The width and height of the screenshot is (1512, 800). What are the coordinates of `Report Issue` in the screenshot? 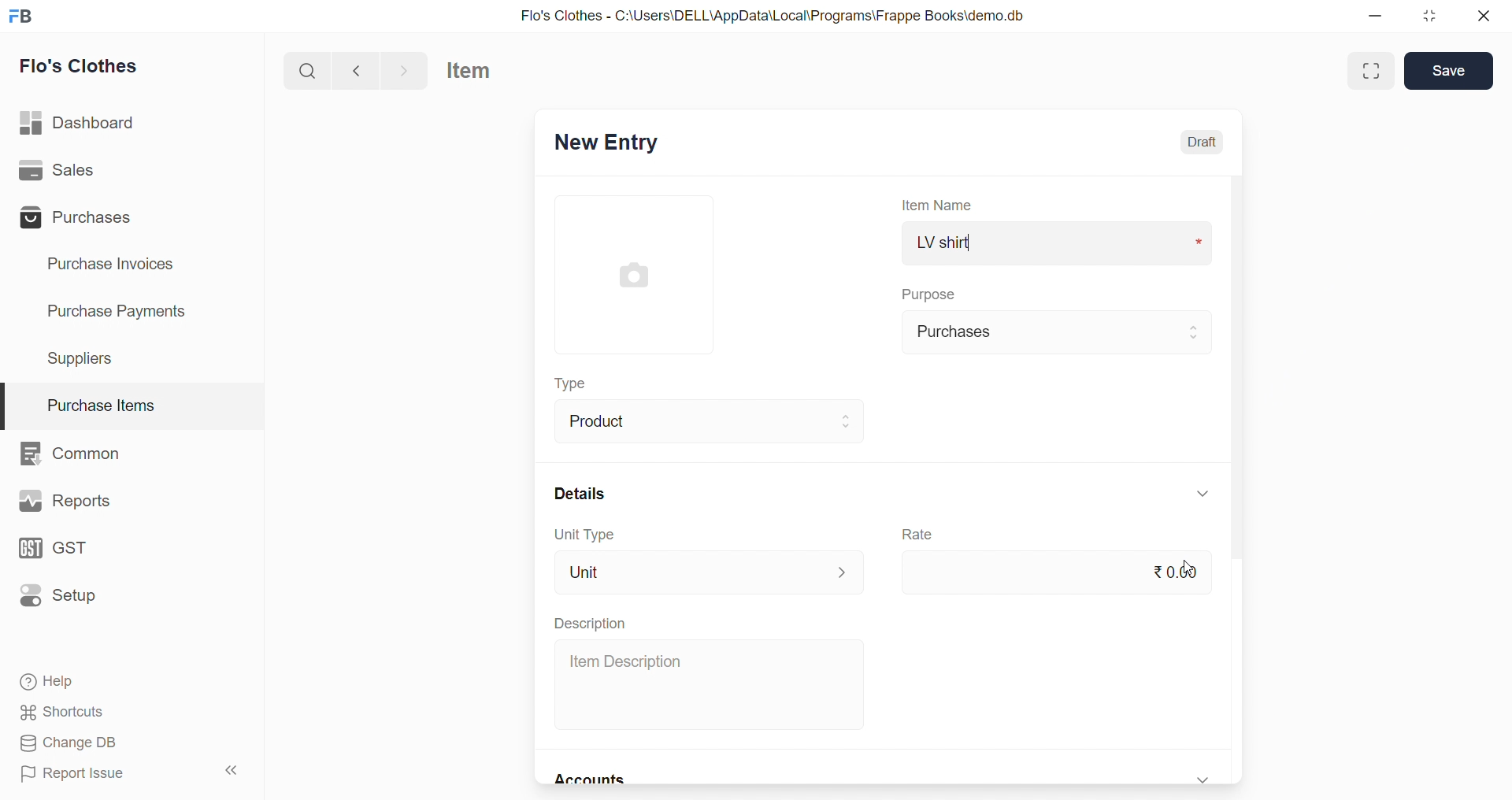 It's located at (98, 772).